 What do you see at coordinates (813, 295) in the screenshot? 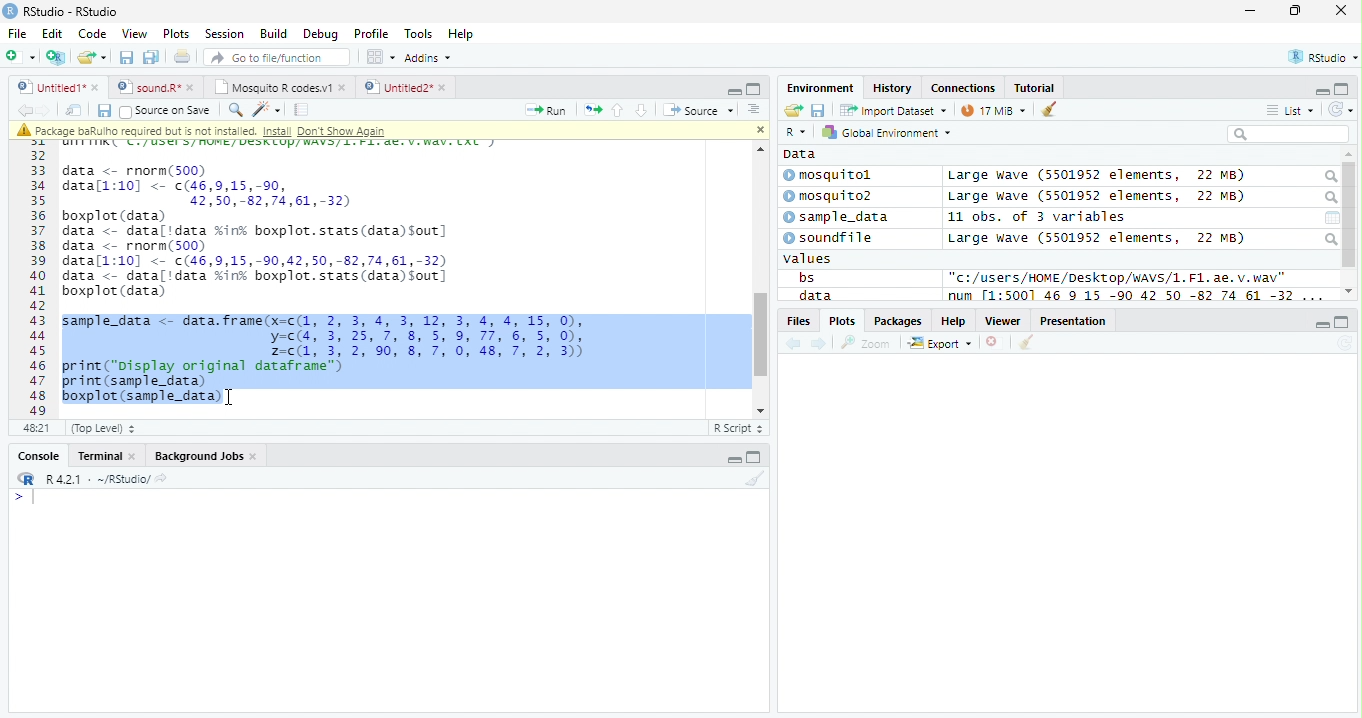
I see `data` at bounding box center [813, 295].